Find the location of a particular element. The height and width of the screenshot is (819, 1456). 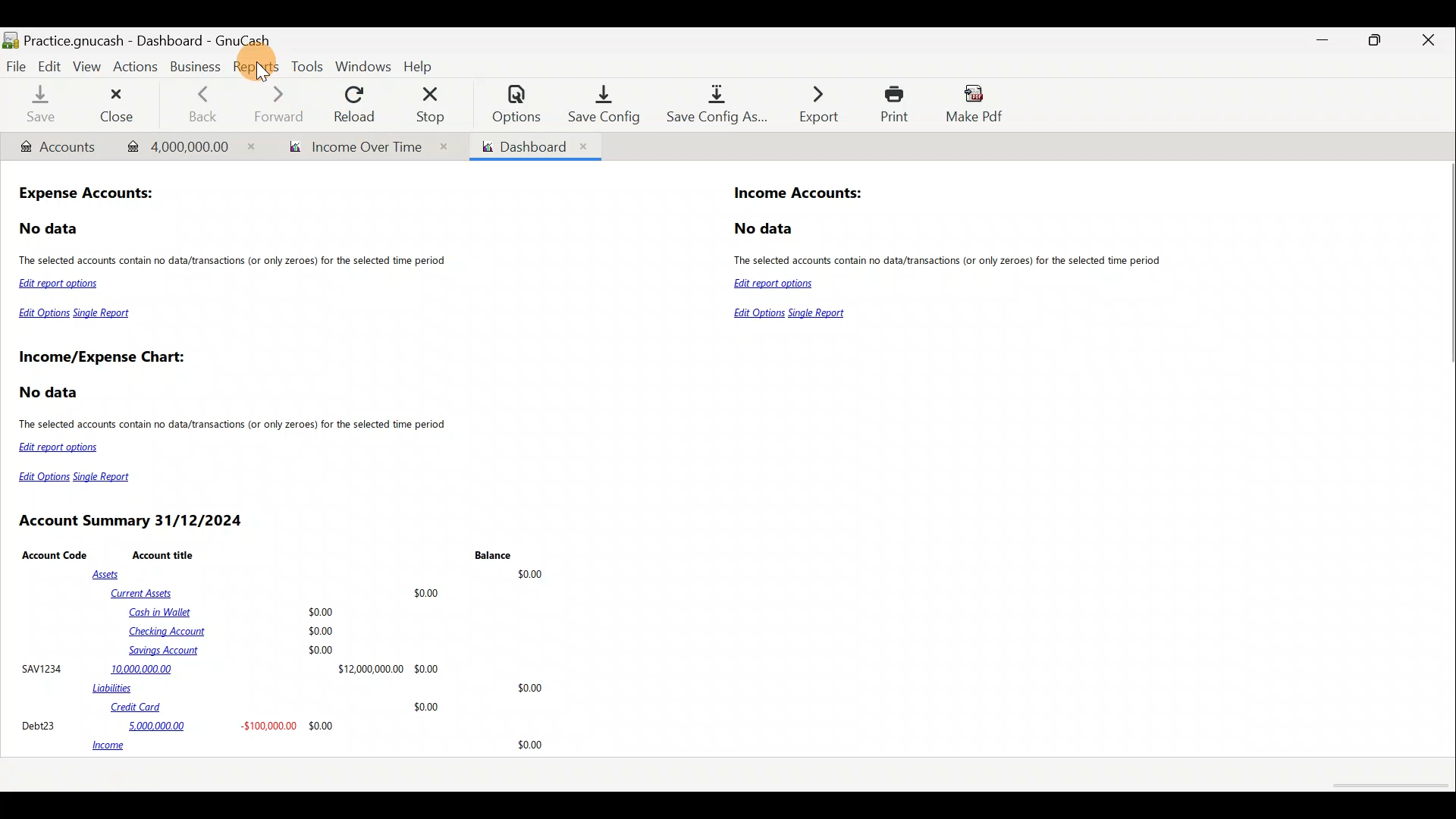

Business is located at coordinates (195, 65).